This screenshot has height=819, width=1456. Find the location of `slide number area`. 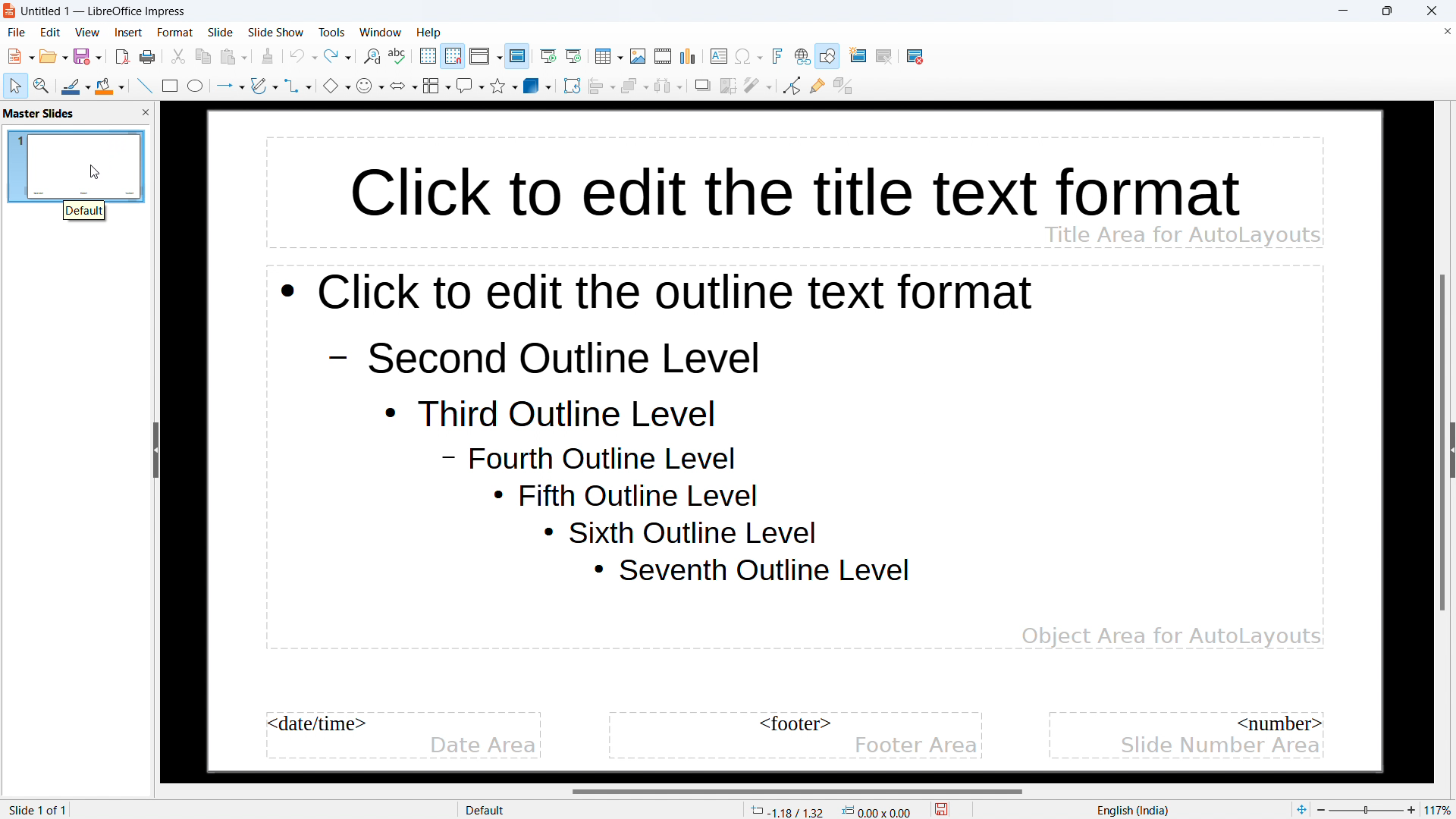

slide number area is located at coordinates (1217, 746).